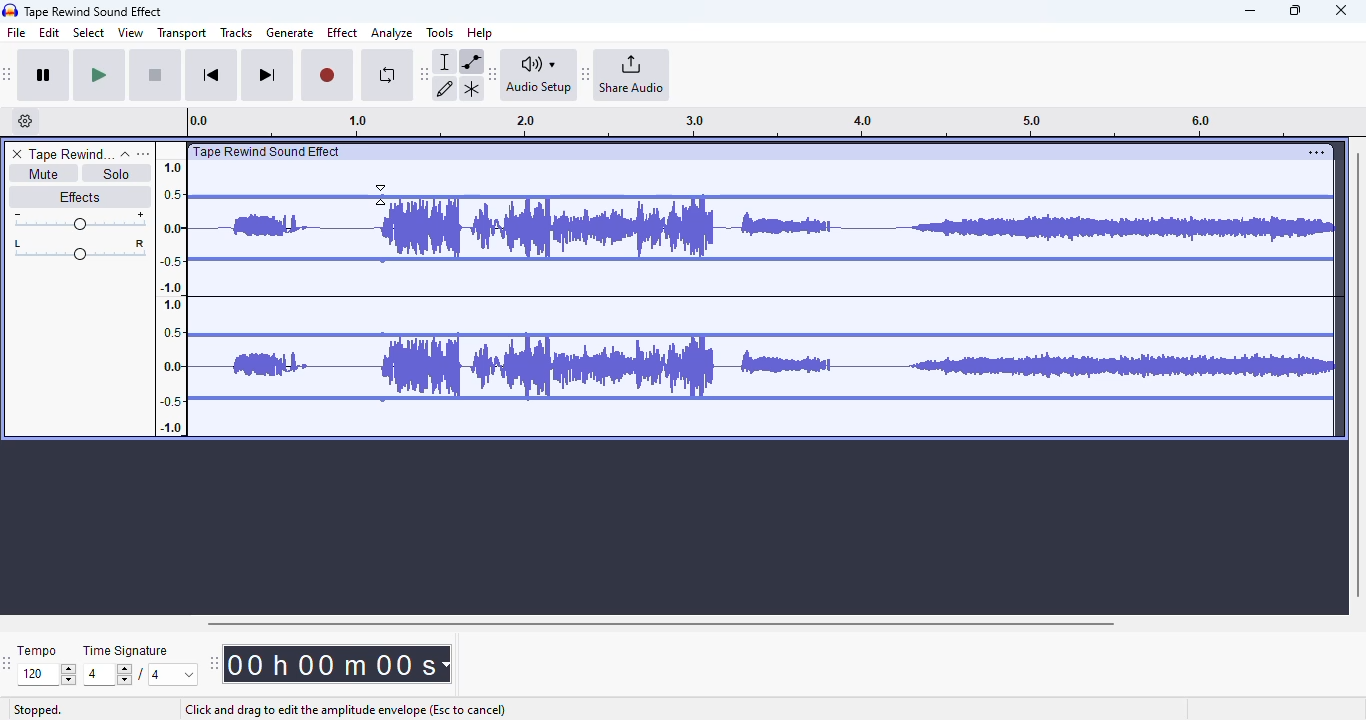 This screenshot has width=1366, height=720. I want to click on collapse, so click(125, 154).